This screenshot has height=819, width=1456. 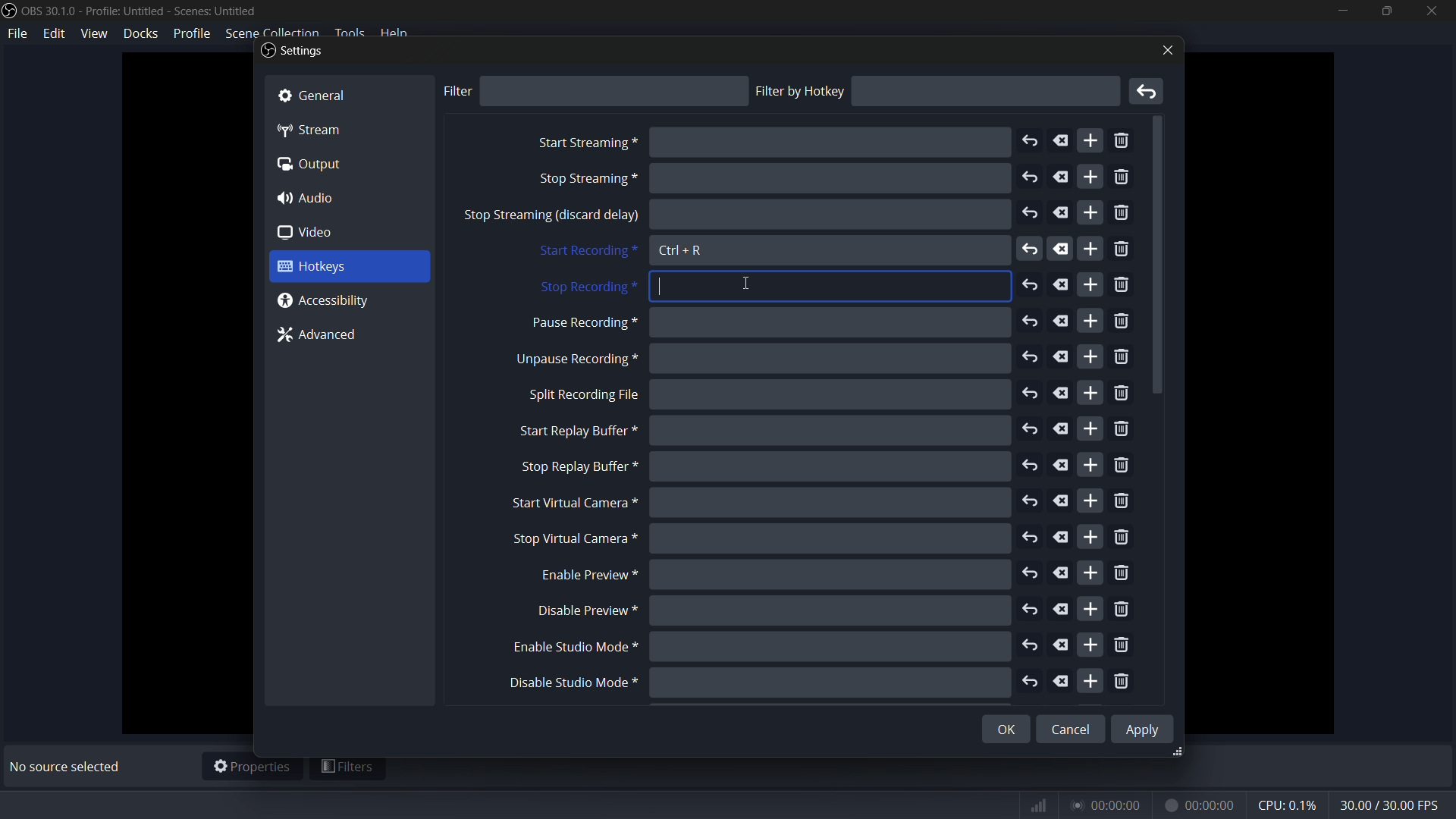 What do you see at coordinates (1391, 806) in the screenshot?
I see `fps` at bounding box center [1391, 806].